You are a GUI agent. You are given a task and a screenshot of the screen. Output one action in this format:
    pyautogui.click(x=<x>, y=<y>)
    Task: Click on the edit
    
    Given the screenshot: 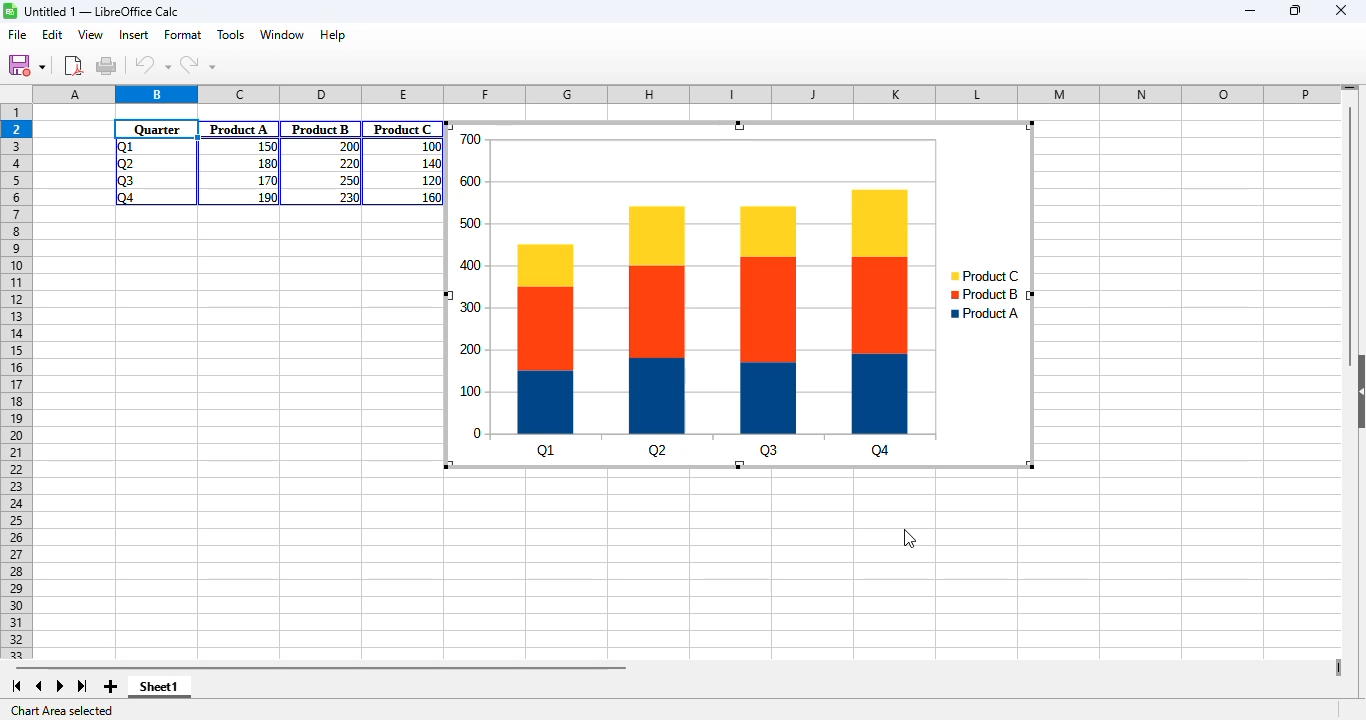 What is the action you would take?
    pyautogui.click(x=52, y=34)
    